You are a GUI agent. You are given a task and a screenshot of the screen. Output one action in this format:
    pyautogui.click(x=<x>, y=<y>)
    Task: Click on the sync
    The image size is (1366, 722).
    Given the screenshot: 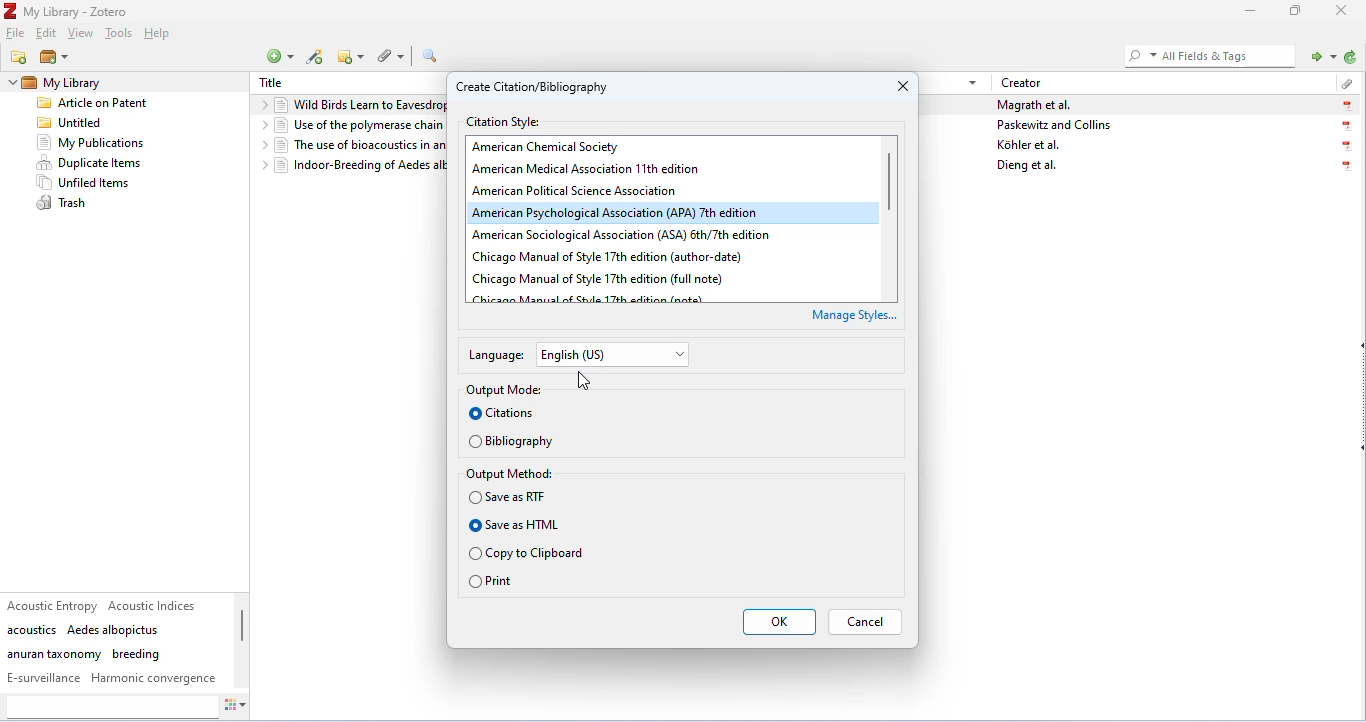 What is the action you would take?
    pyautogui.click(x=1349, y=58)
    